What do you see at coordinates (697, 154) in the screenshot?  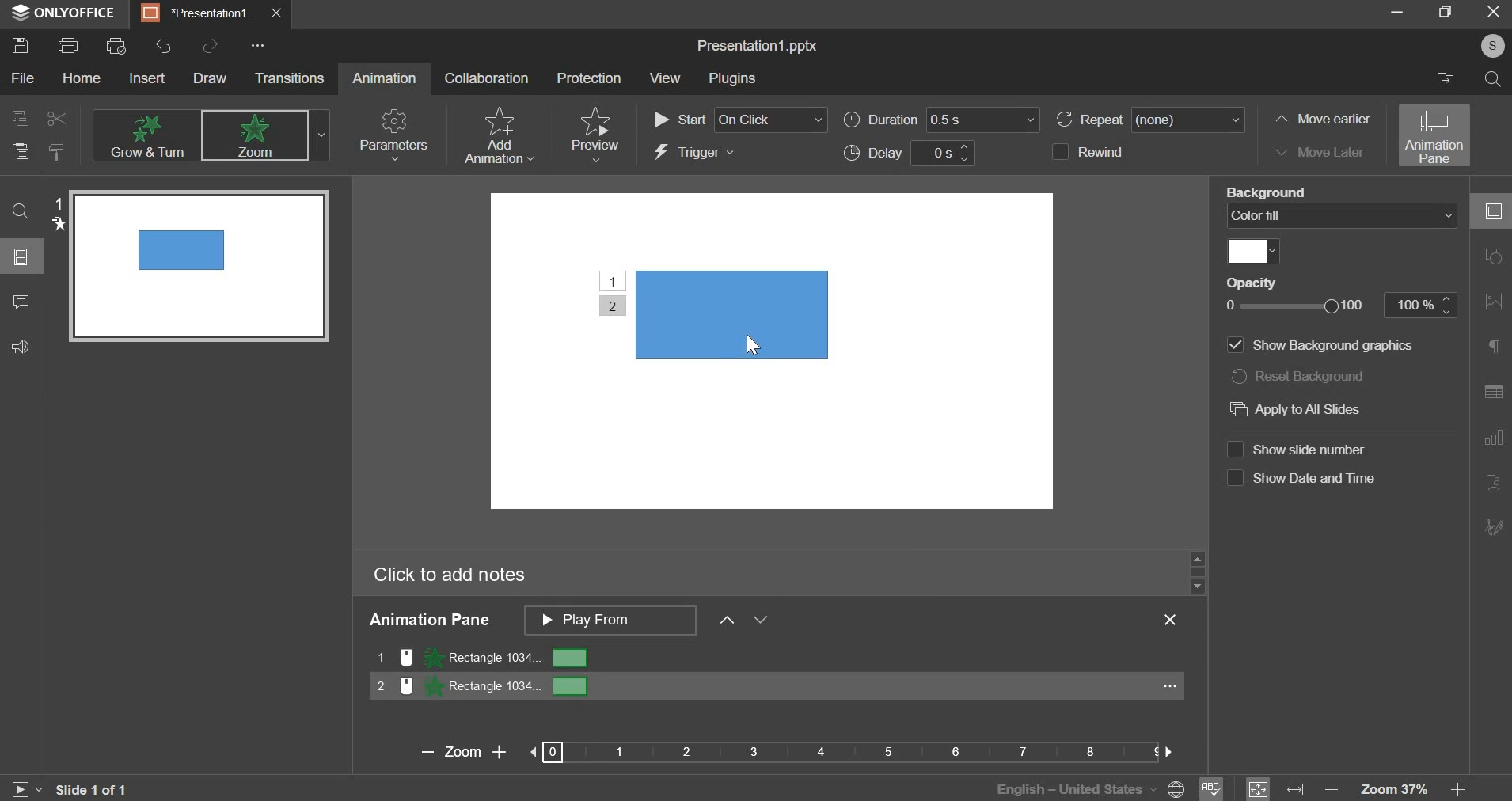 I see `trigger` at bounding box center [697, 154].